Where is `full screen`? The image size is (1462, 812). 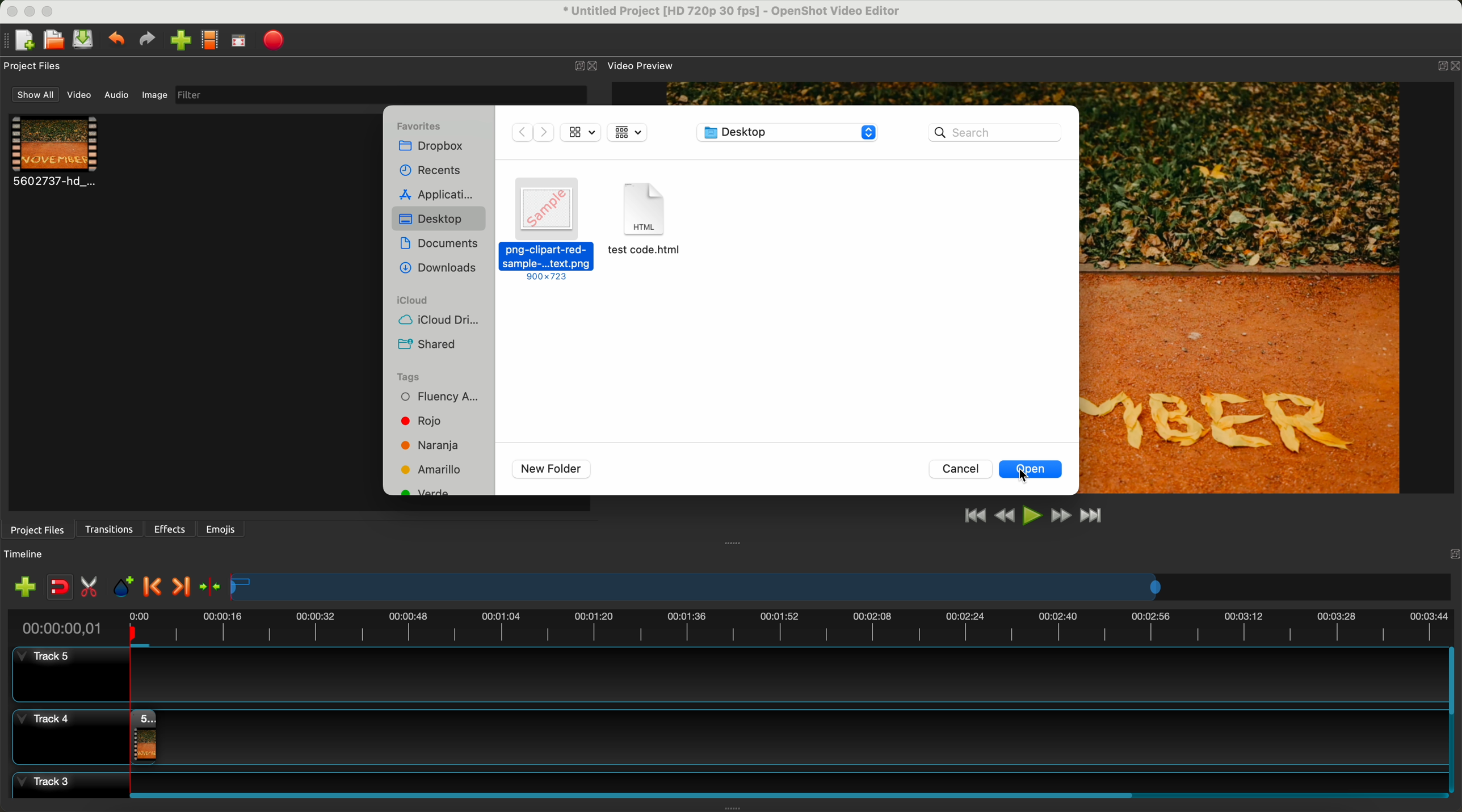 full screen is located at coordinates (240, 43).